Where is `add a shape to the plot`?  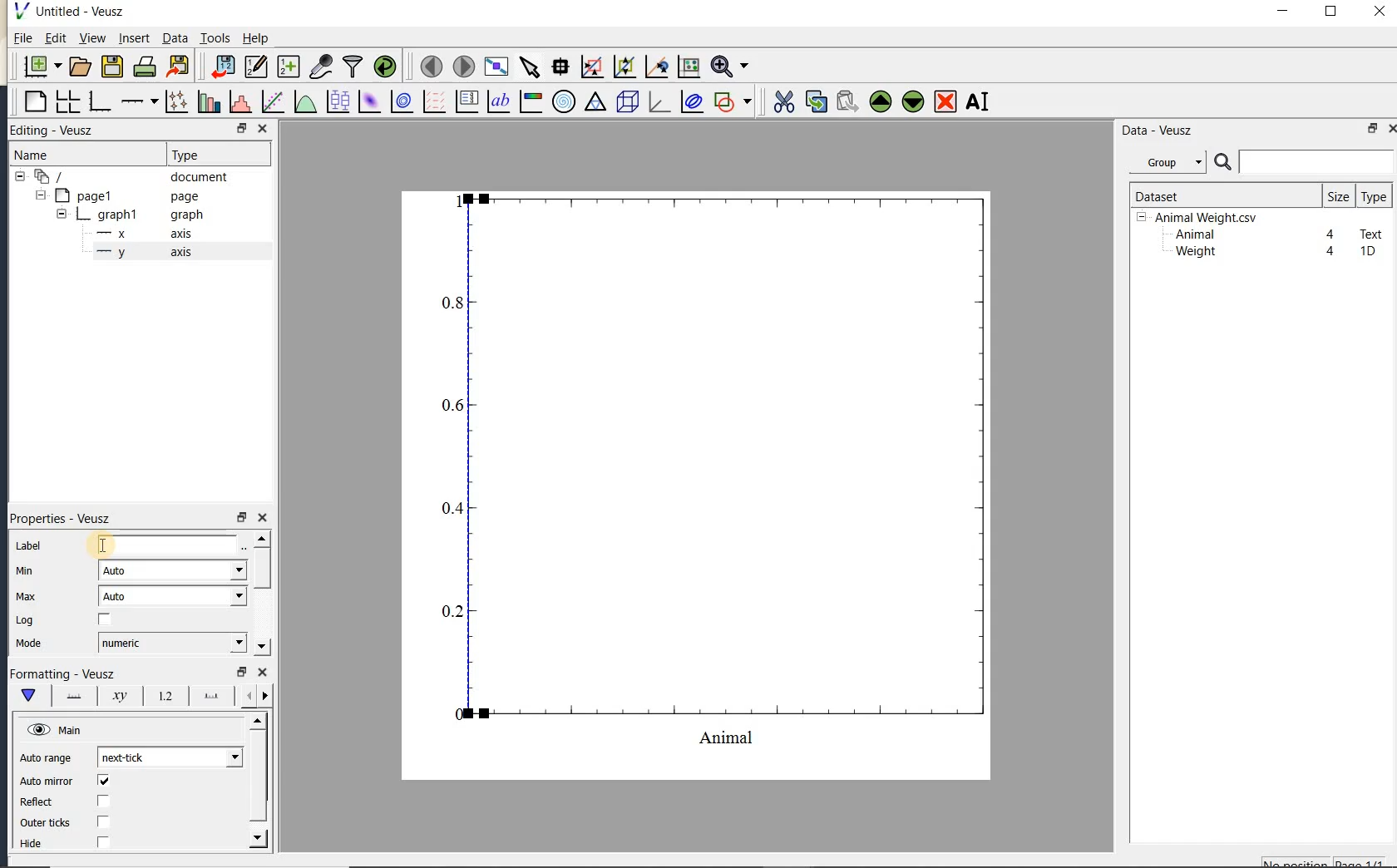
add a shape to the plot is located at coordinates (732, 101).